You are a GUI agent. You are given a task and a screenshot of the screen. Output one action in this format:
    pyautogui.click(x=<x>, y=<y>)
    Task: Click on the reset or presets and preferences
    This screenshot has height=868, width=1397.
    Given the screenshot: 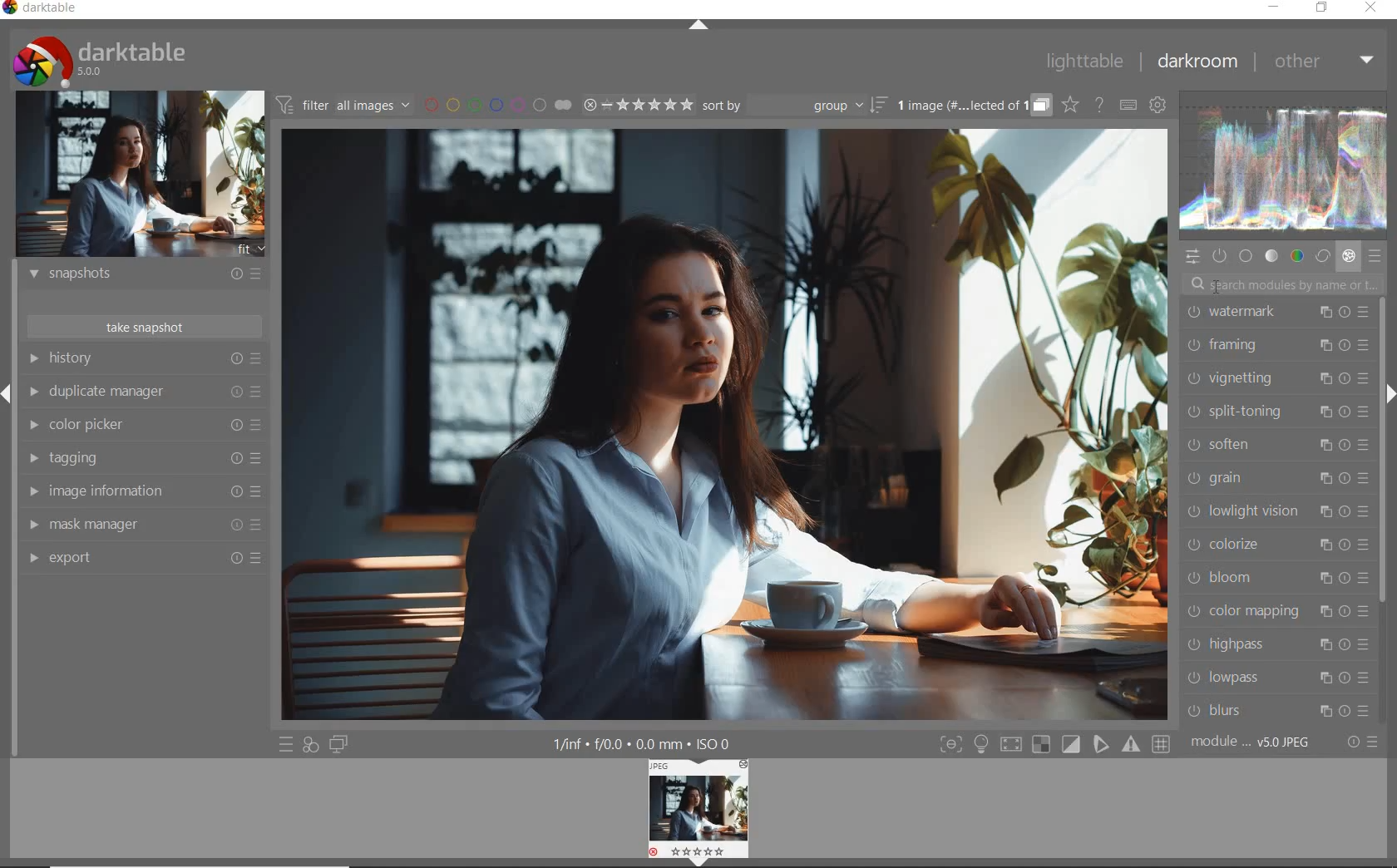 What is the action you would take?
    pyautogui.click(x=1360, y=742)
    